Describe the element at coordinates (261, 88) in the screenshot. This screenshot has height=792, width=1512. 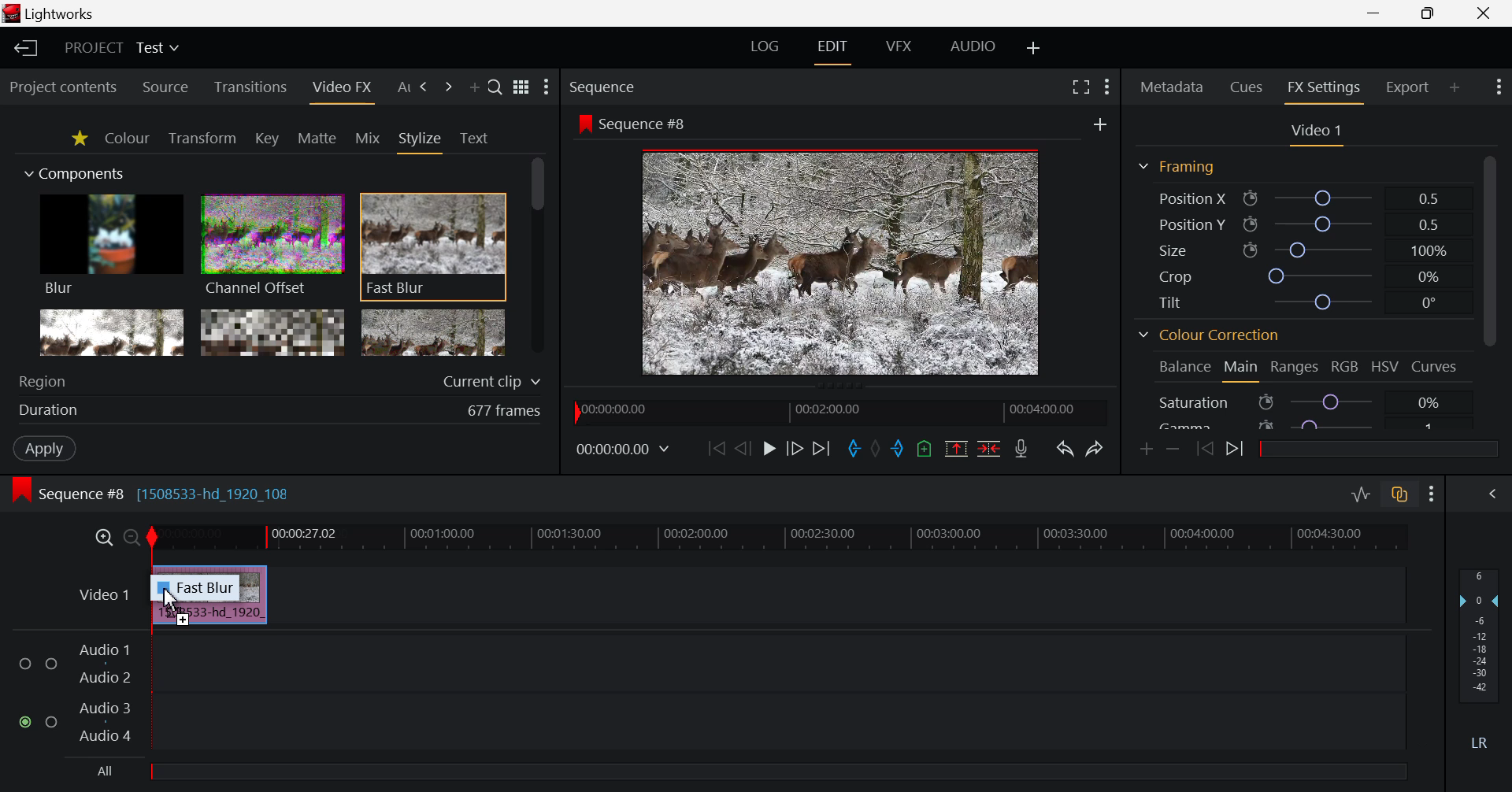
I see `Transitions` at that location.